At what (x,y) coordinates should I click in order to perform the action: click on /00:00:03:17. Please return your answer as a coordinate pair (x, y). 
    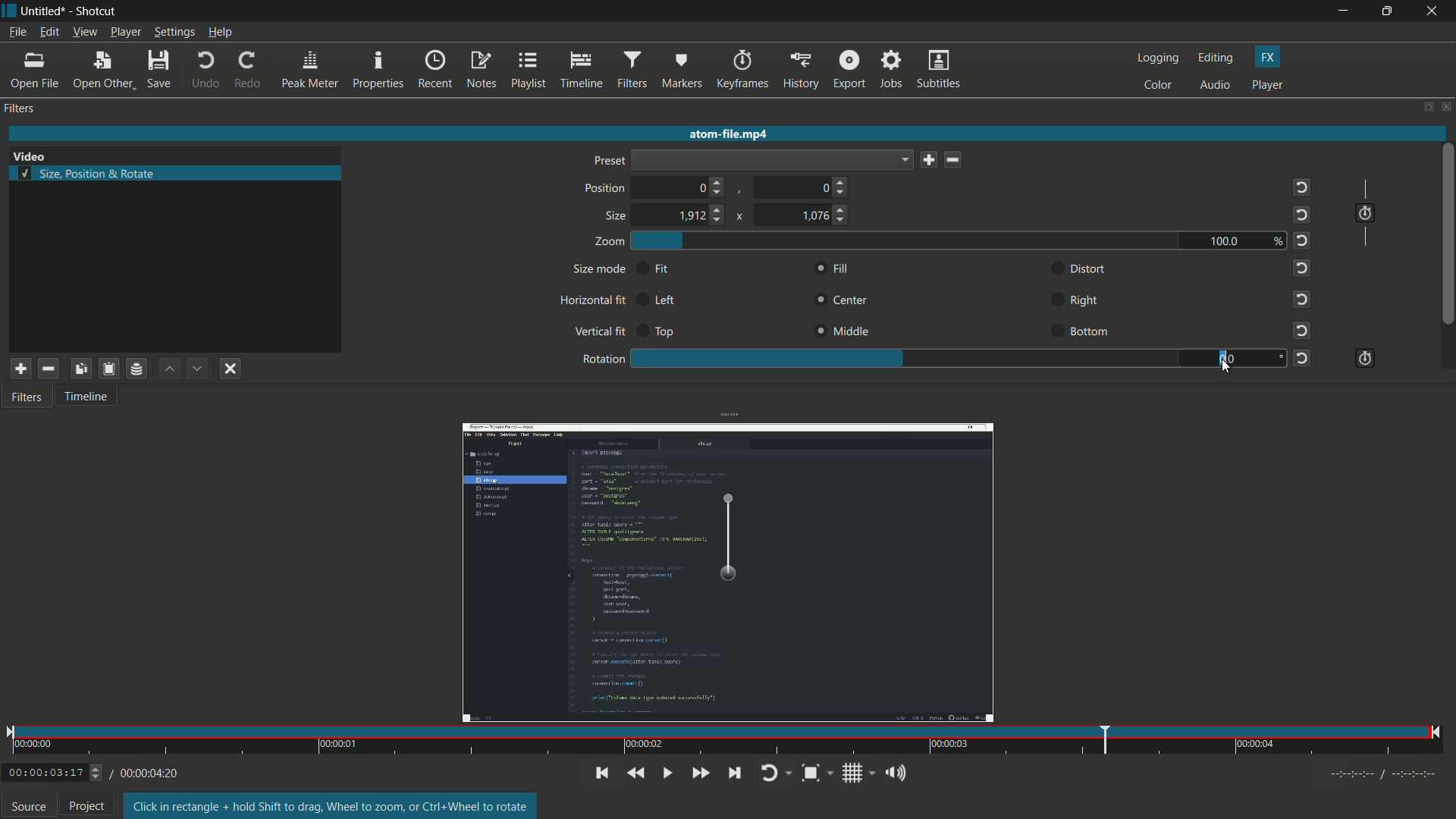
    Looking at the image, I should click on (50, 773).